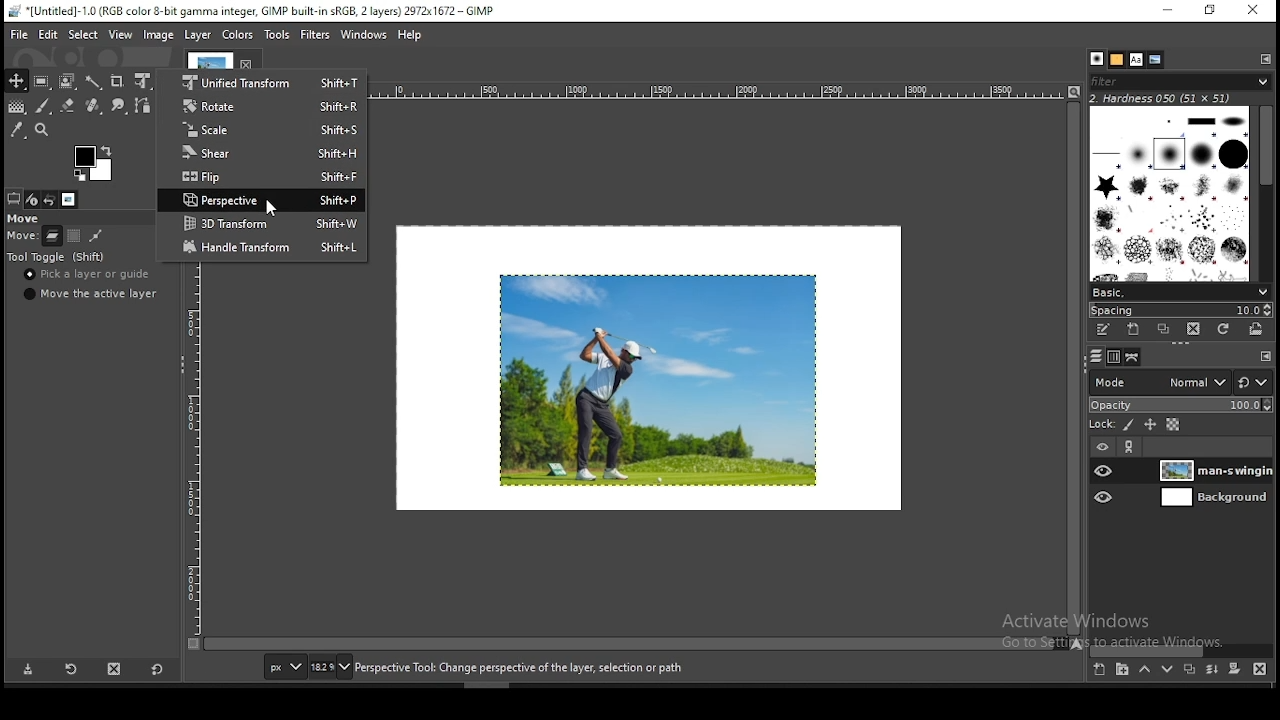 The height and width of the screenshot is (720, 1280). Describe the element at coordinates (33, 200) in the screenshot. I see `device status` at that location.